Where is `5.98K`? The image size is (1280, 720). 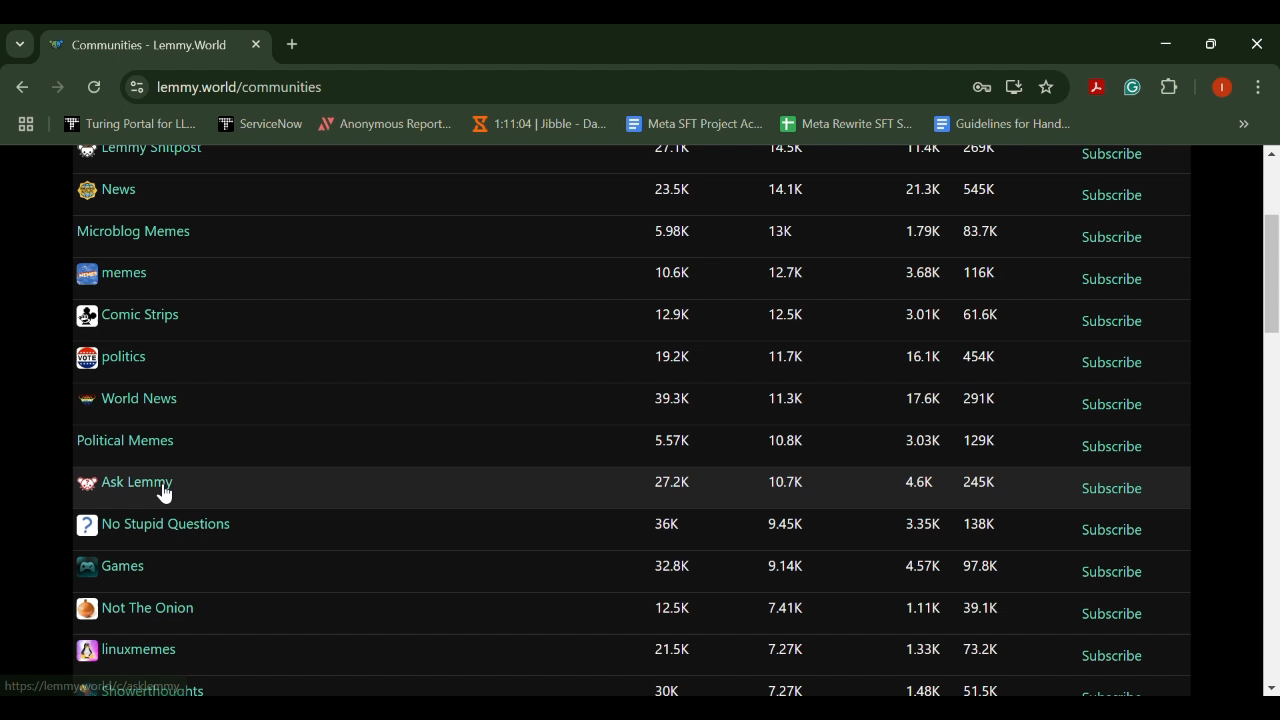
5.98K is located at coordinates (672, 231).